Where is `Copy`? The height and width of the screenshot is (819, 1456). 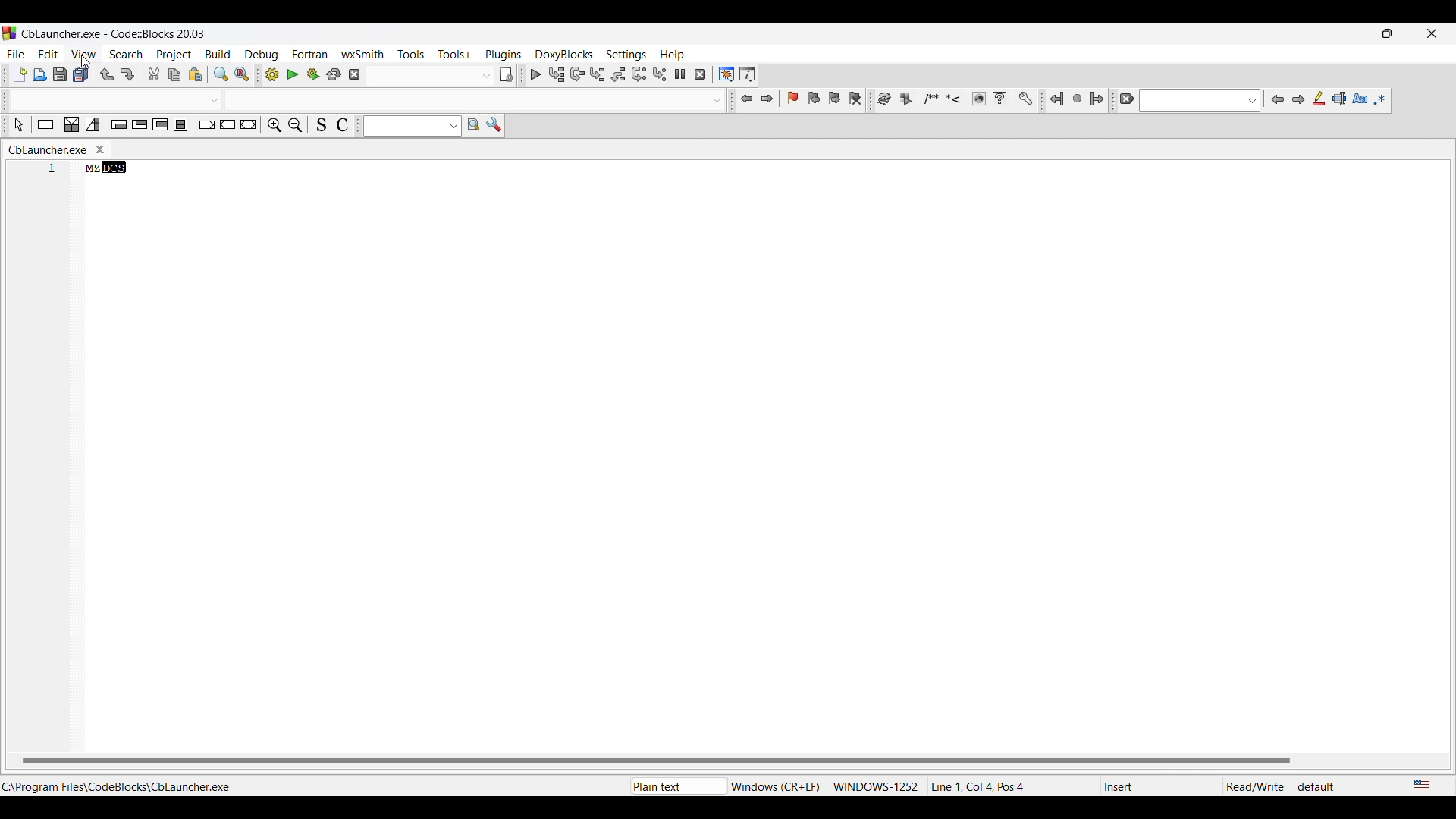 Copy is located at coordinates (174, 75).